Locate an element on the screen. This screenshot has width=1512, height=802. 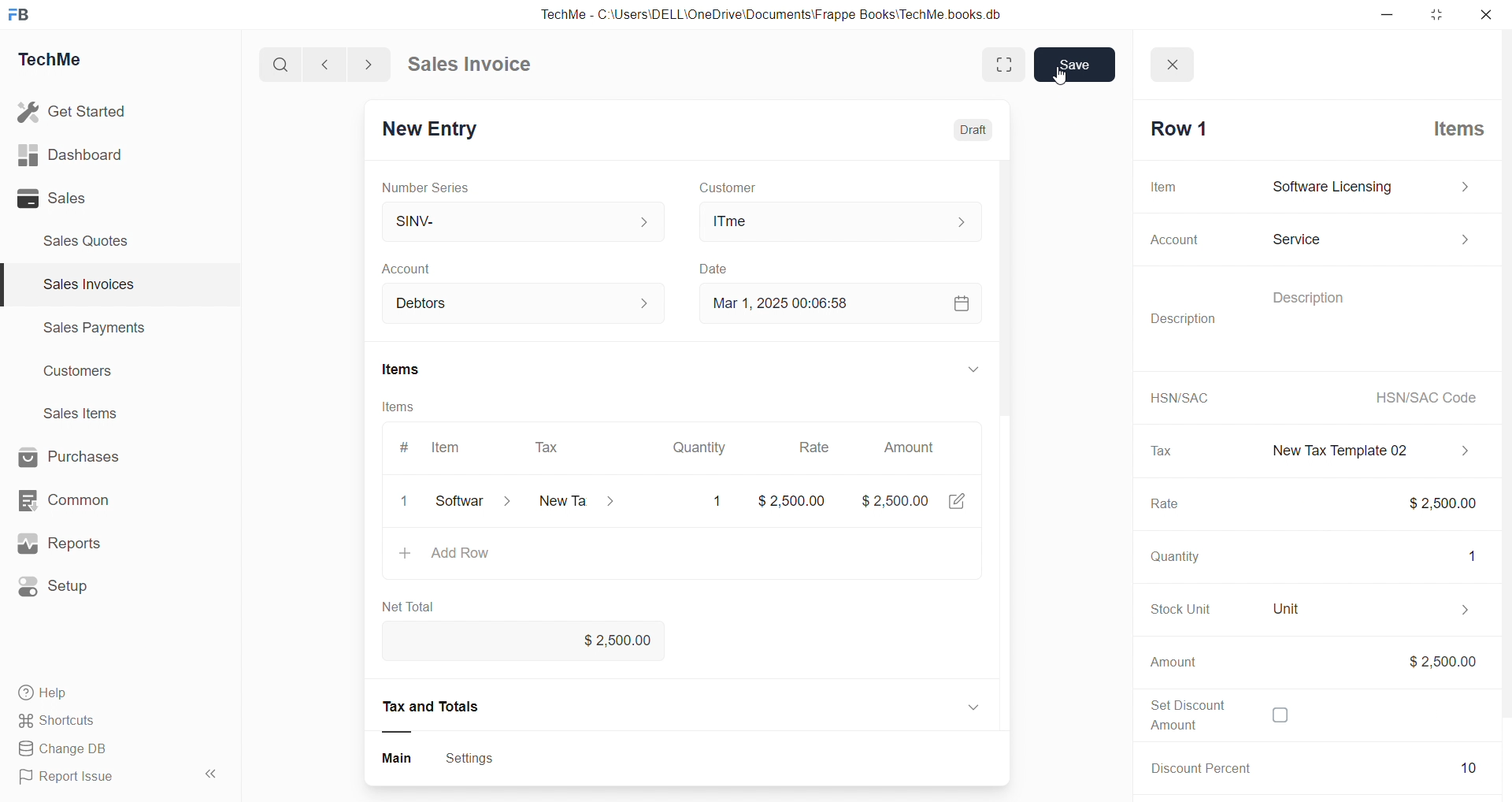
ull Dashboard is located at coordinates (78, 154).